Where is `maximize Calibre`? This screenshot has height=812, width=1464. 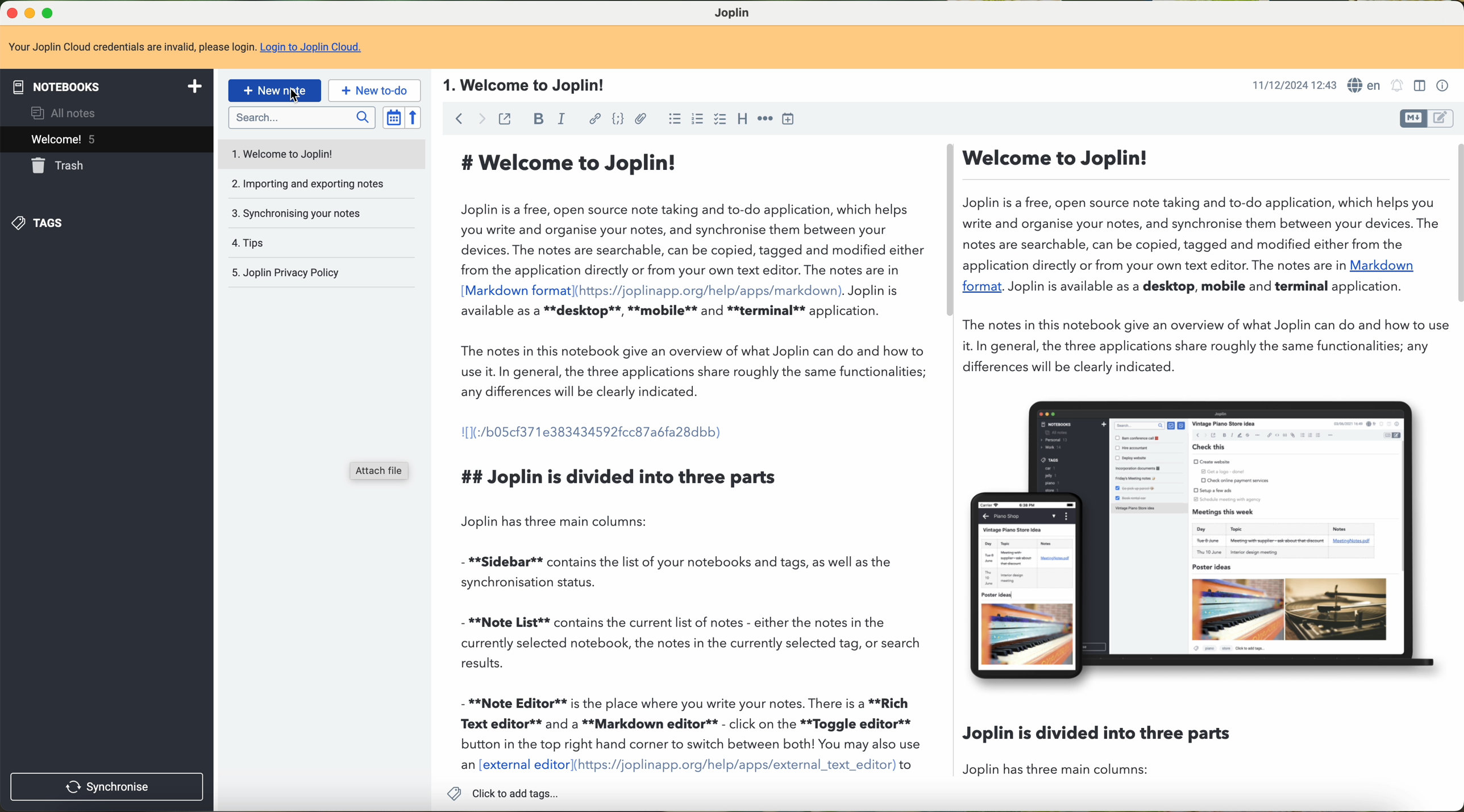
maximize Calibre is located at coordinates (50, 11).